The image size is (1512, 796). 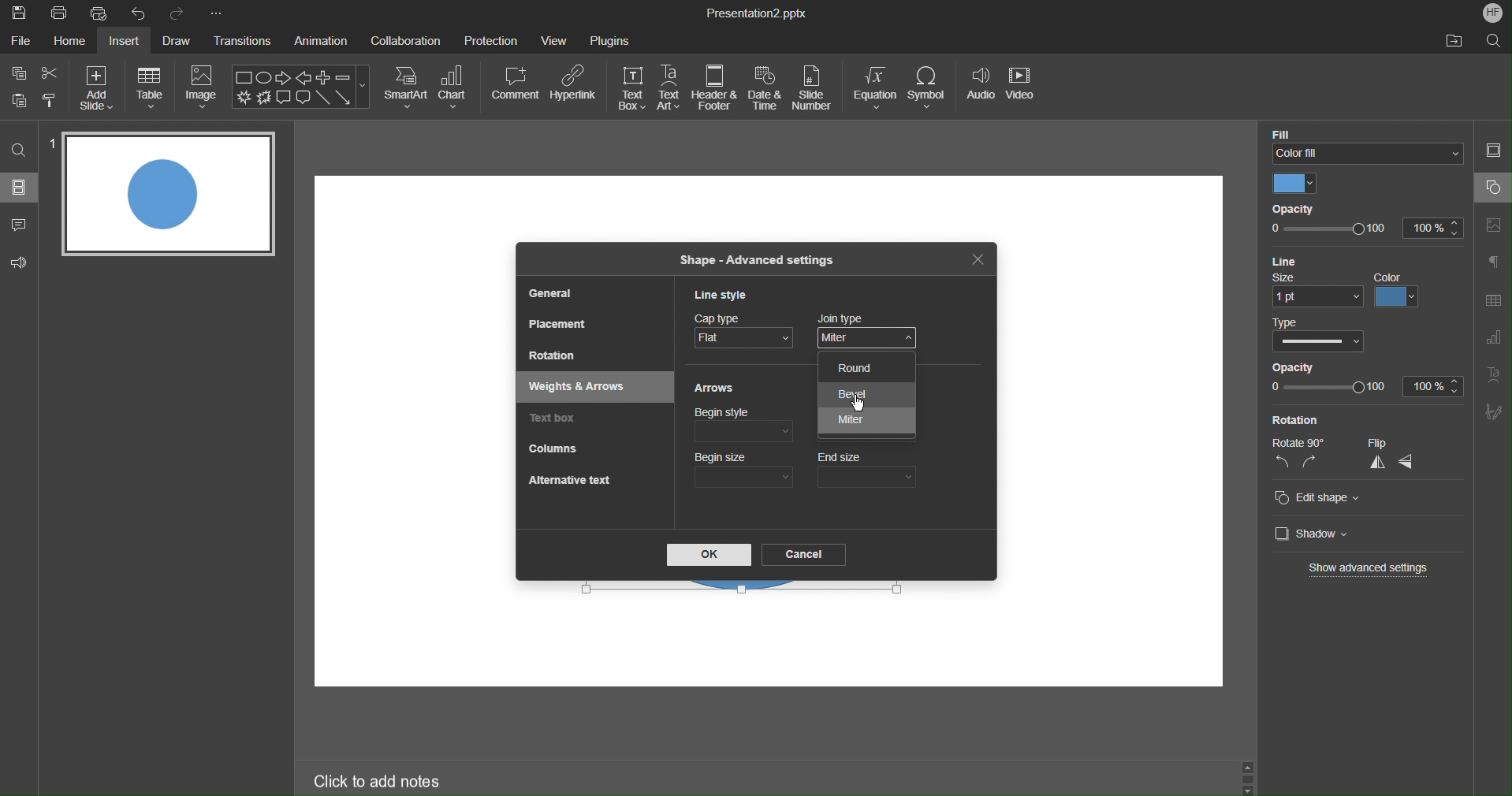 I want to click on Table Settings, so click(x=1492, y=300).